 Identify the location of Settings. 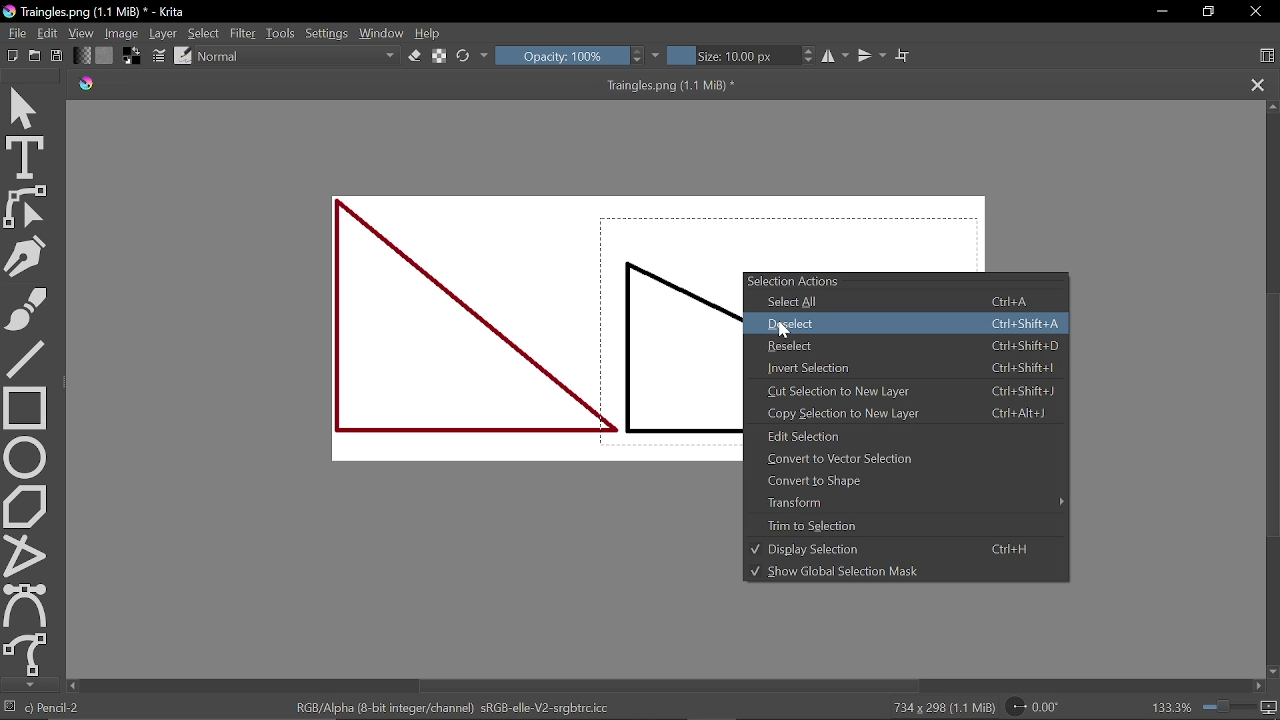
(327, 31).